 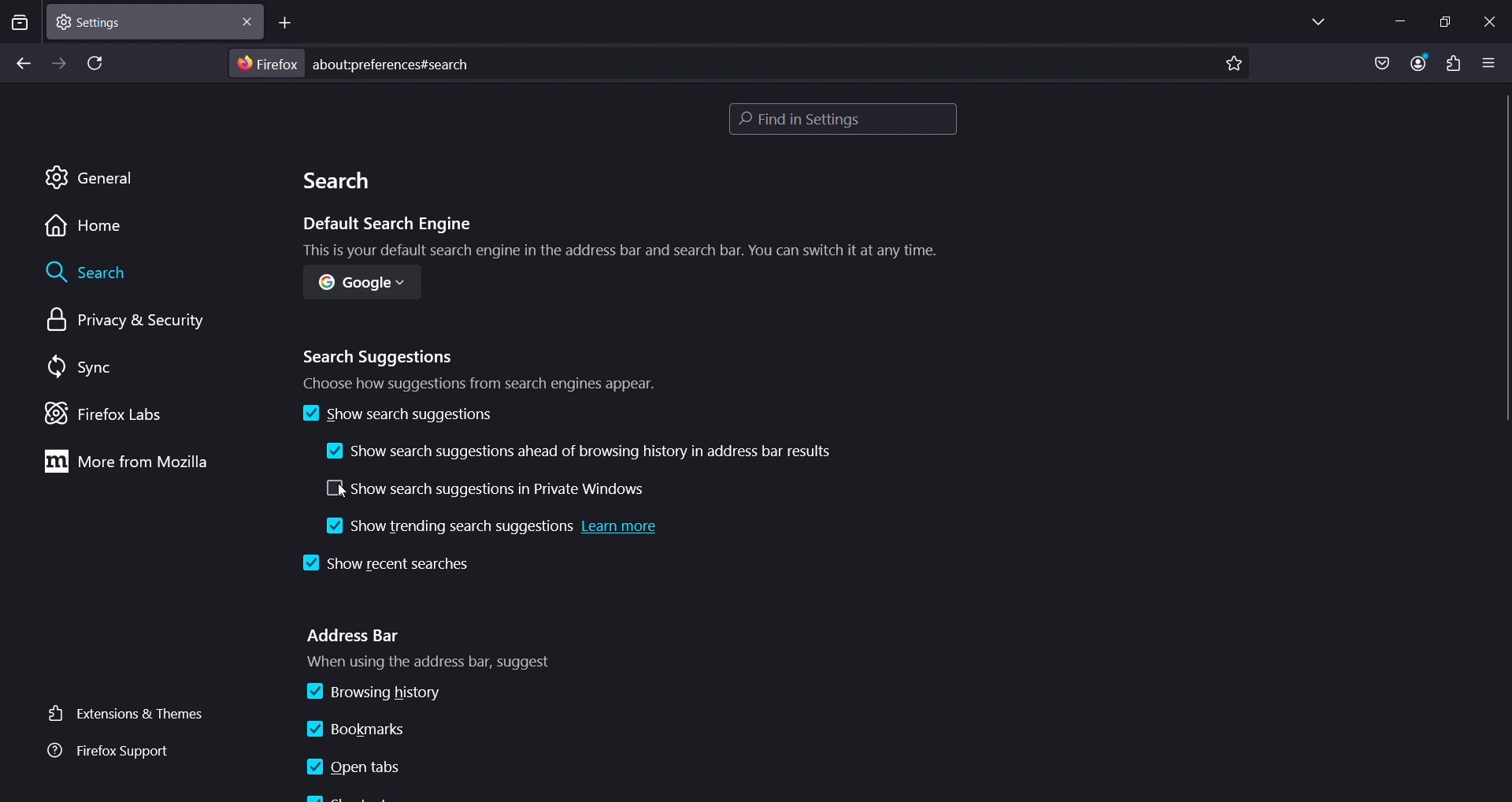 What do you see at coordinates (287, 23) in the screenshot?
I see `new tab` at bounding box center [287, 23].